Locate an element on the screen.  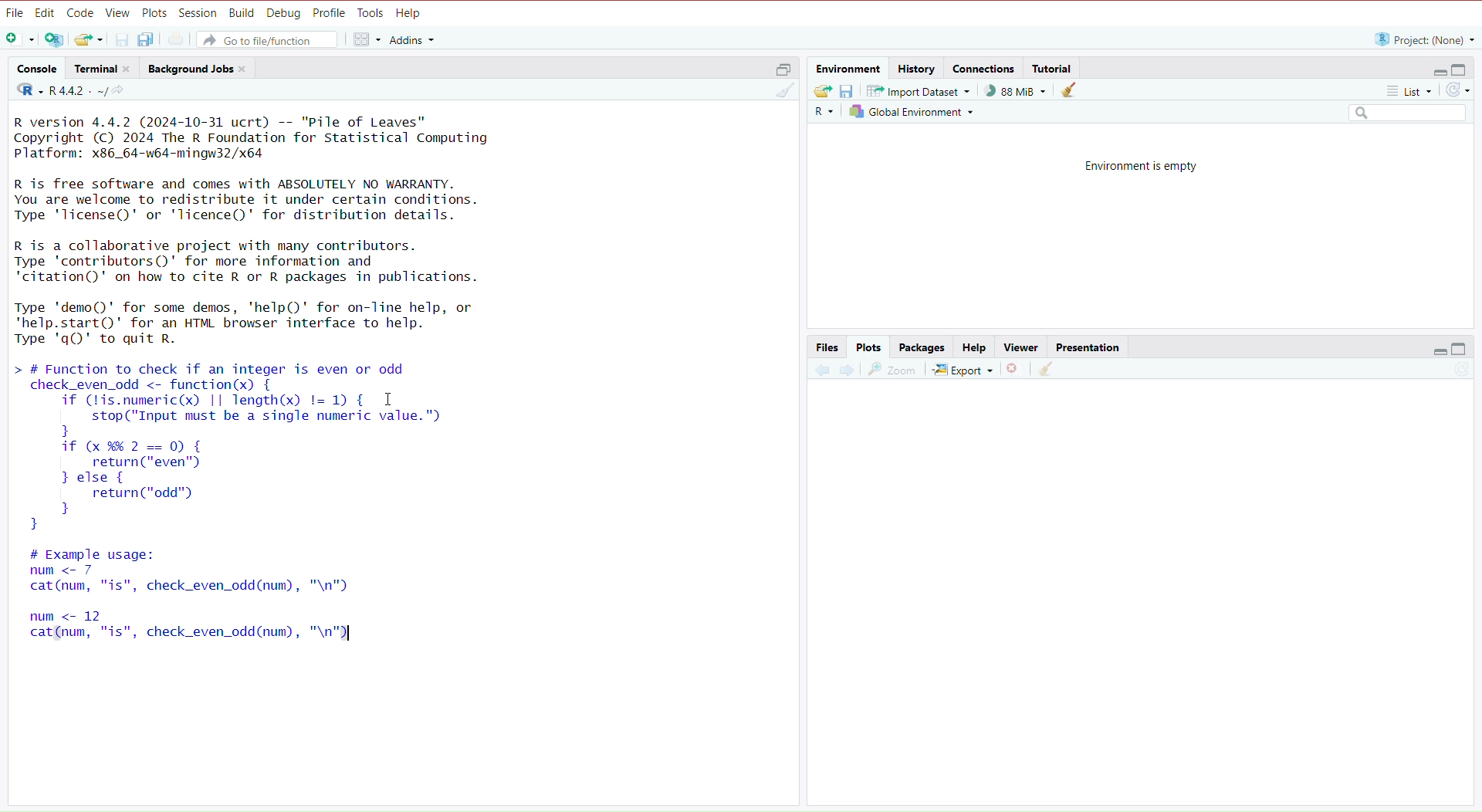
presentation is located at coordinates (1091, 347).